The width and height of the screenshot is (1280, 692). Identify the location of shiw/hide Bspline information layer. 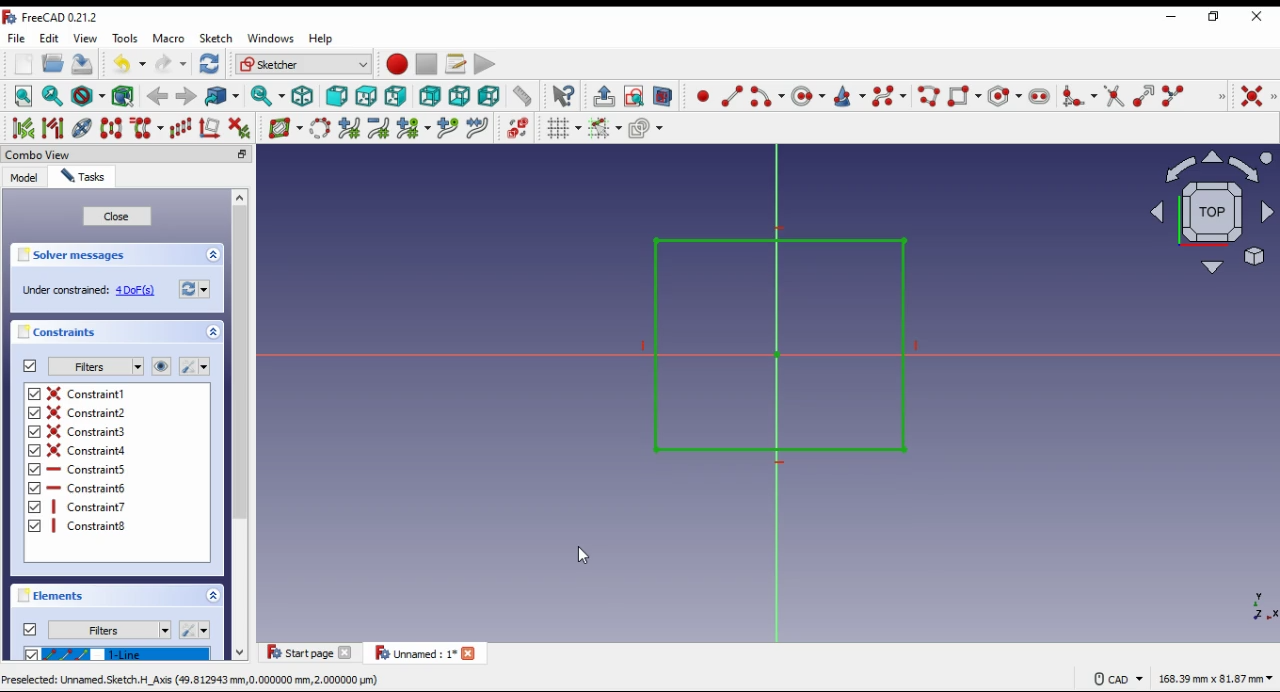
(286, 127).